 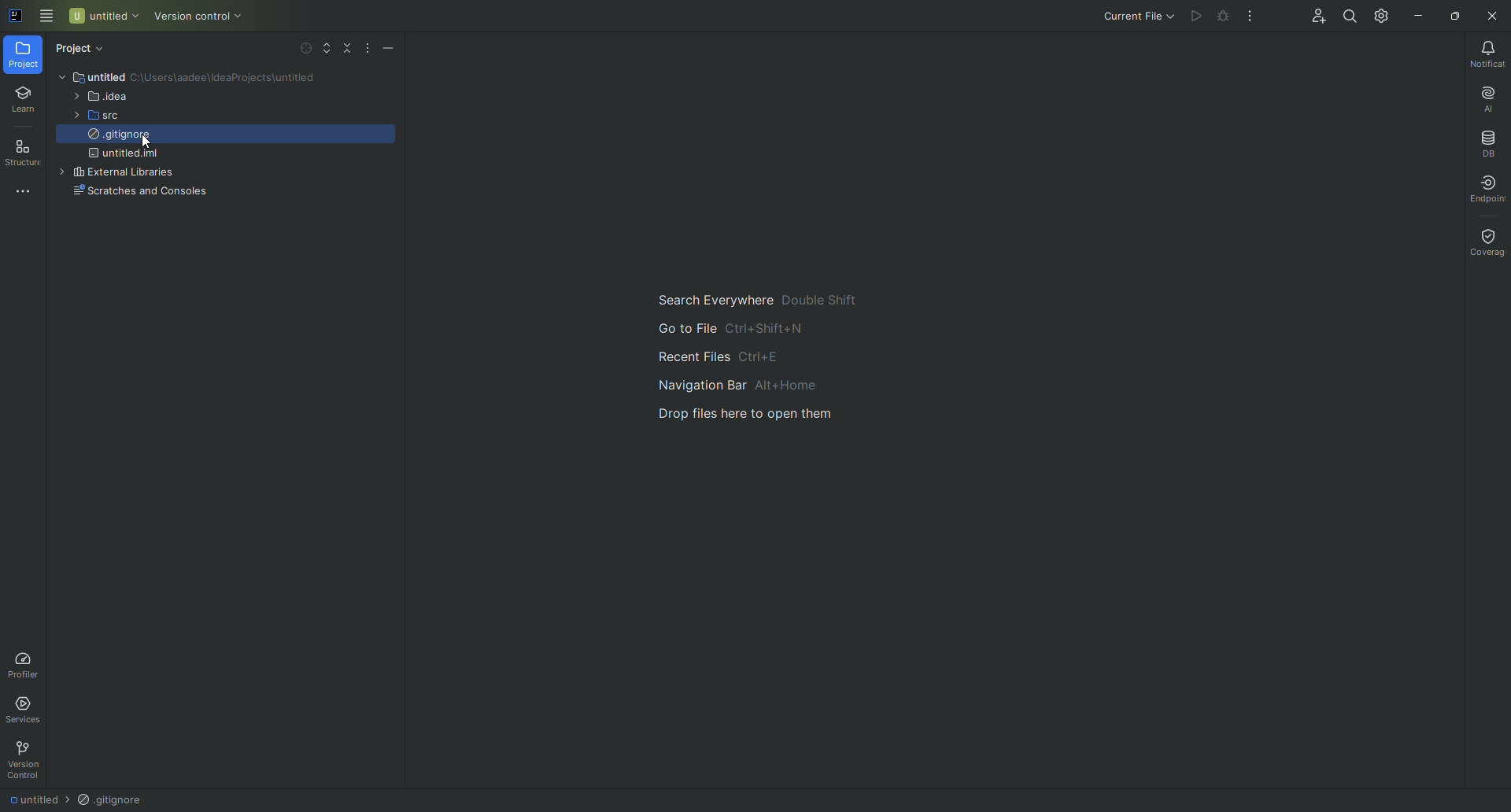 What do you see at coordinates (1345, 15) in the screenshot?
I see `Search` at bounding box center [1345, 15].